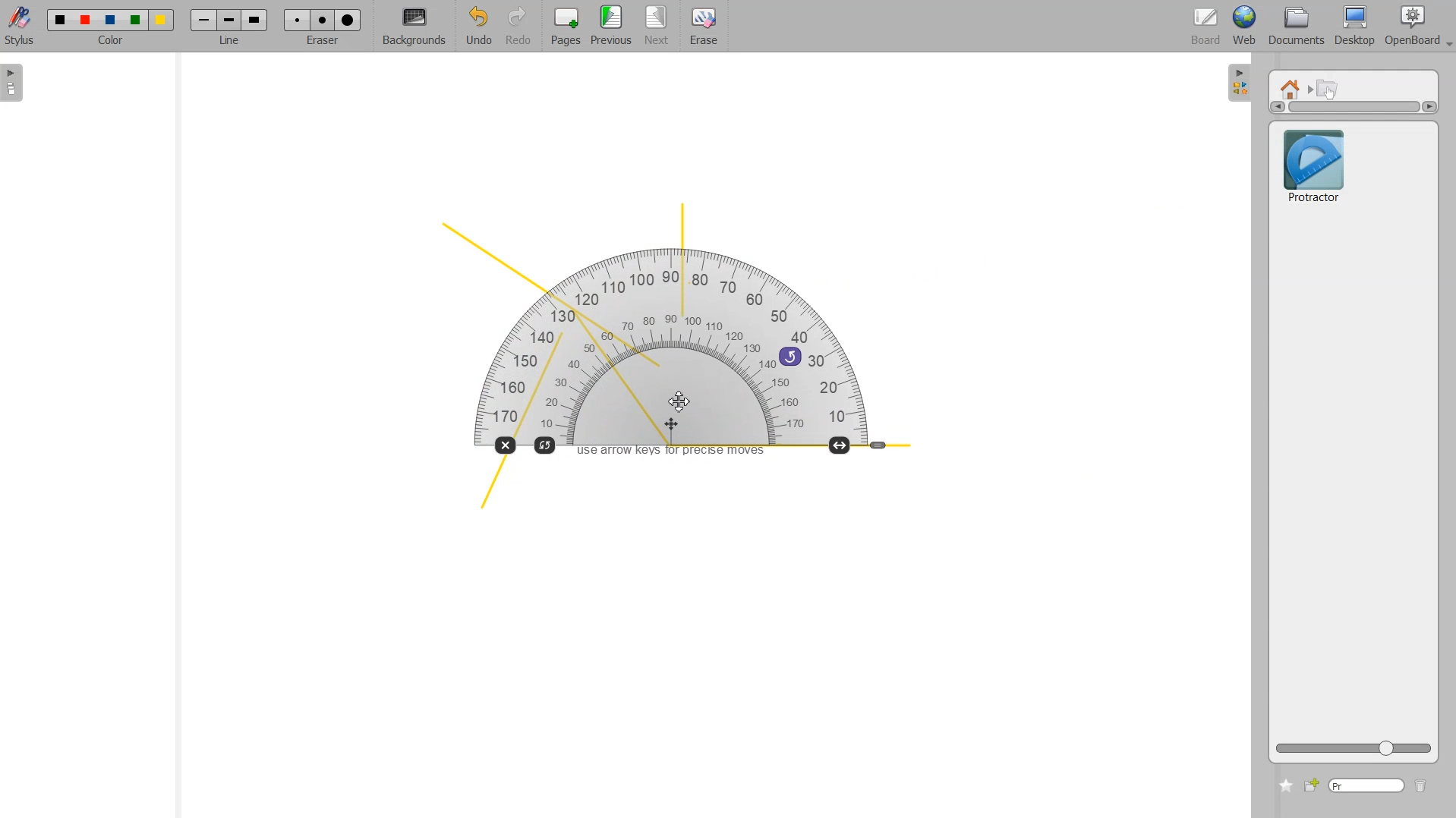  I want to click on Erase, so click(322, 20).